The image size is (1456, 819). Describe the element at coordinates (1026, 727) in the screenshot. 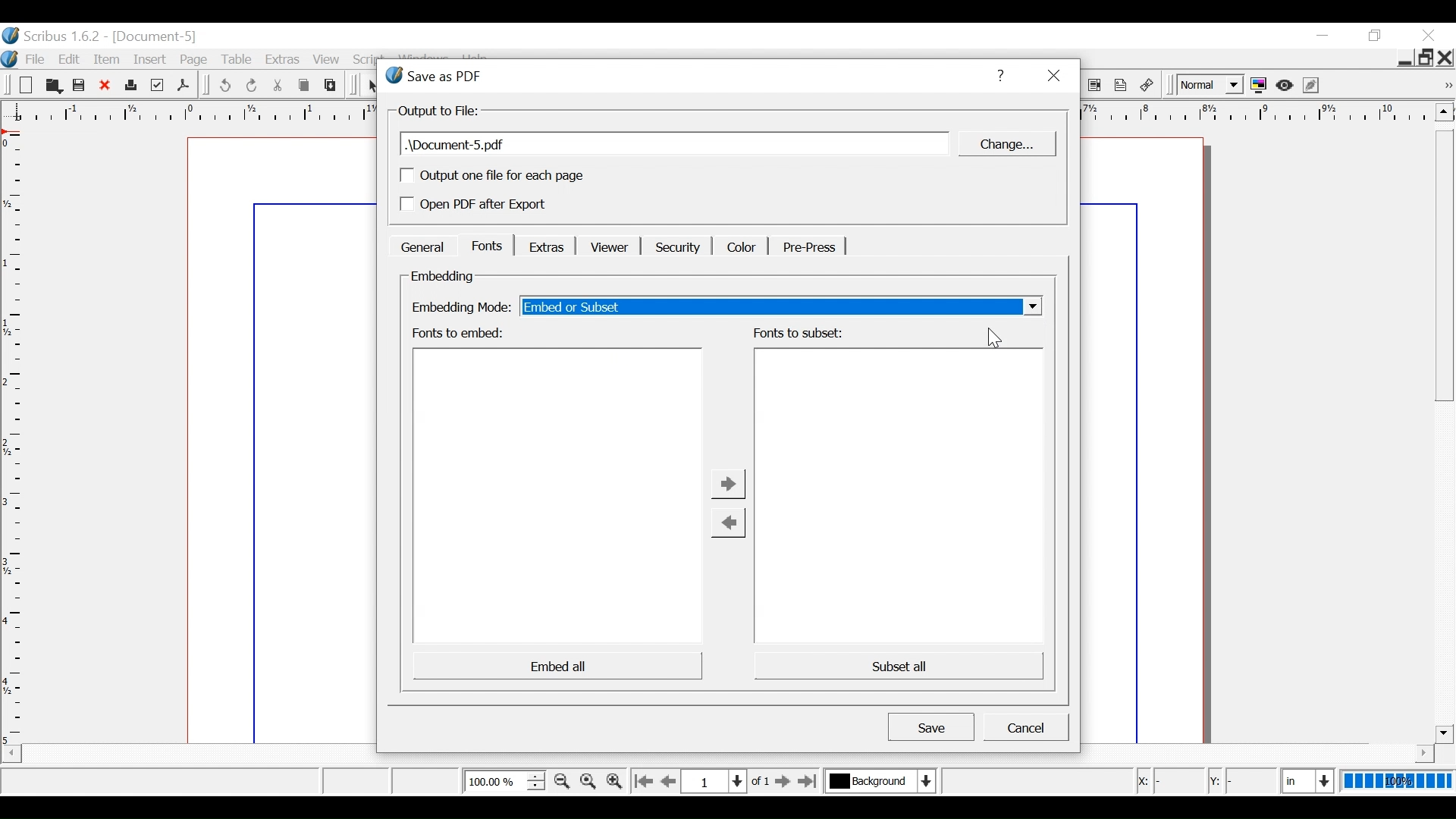

I see `Cancel` at that location.